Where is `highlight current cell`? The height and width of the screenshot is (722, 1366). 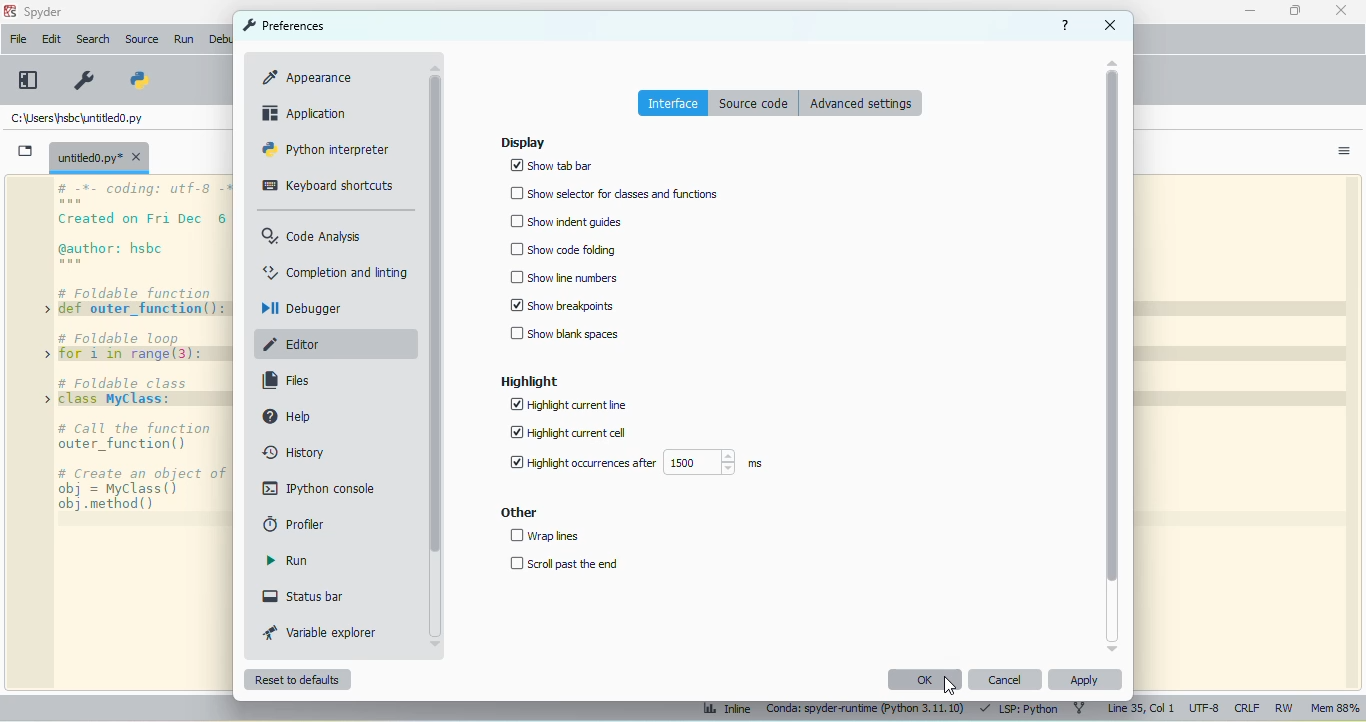
highlight current cell is located at coordinates (570, 433).